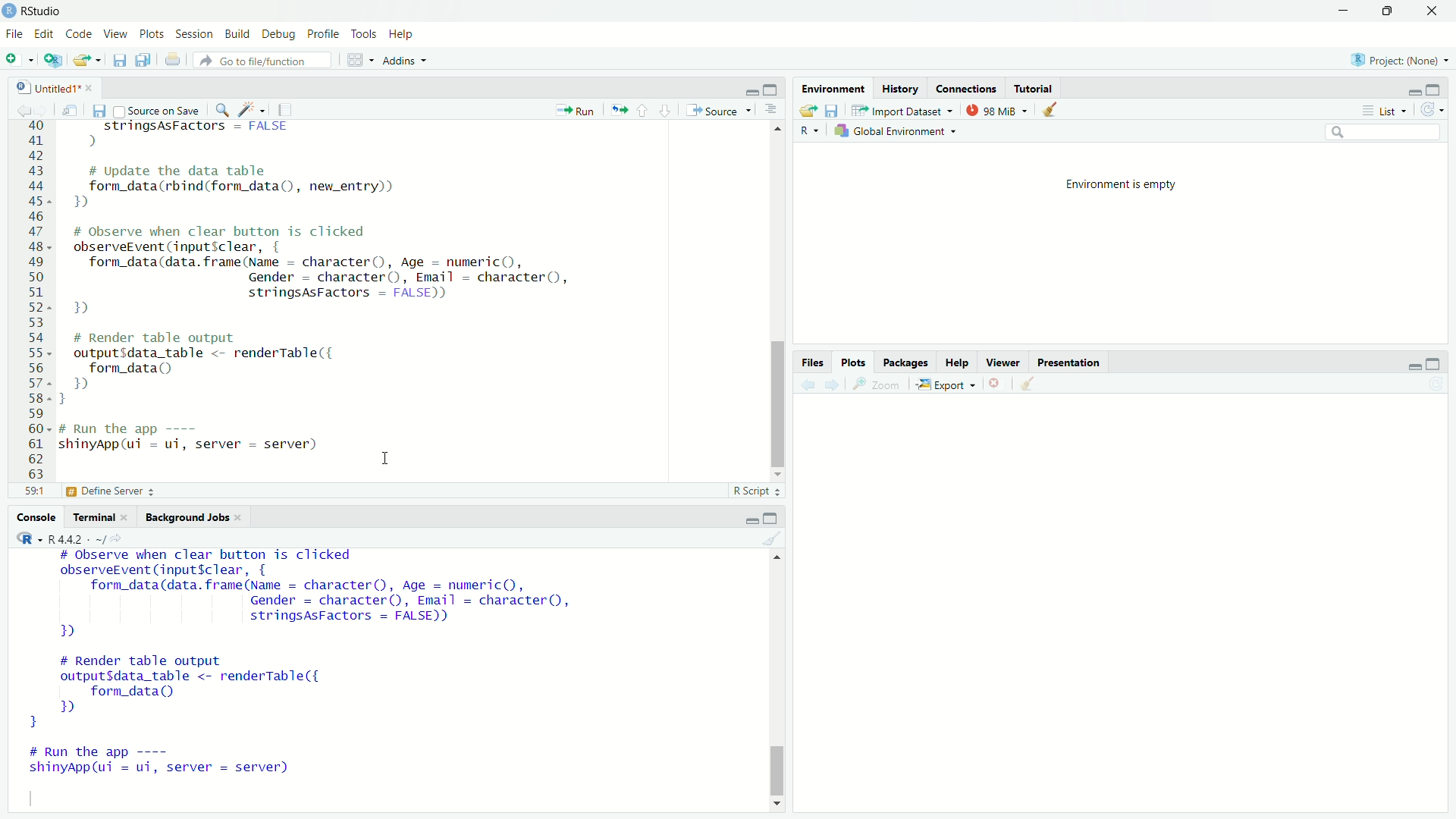 The image size is (1456, 819). Describe the element at coordinates (70, 108) in the screenshot. I see `show in new window` at that location.